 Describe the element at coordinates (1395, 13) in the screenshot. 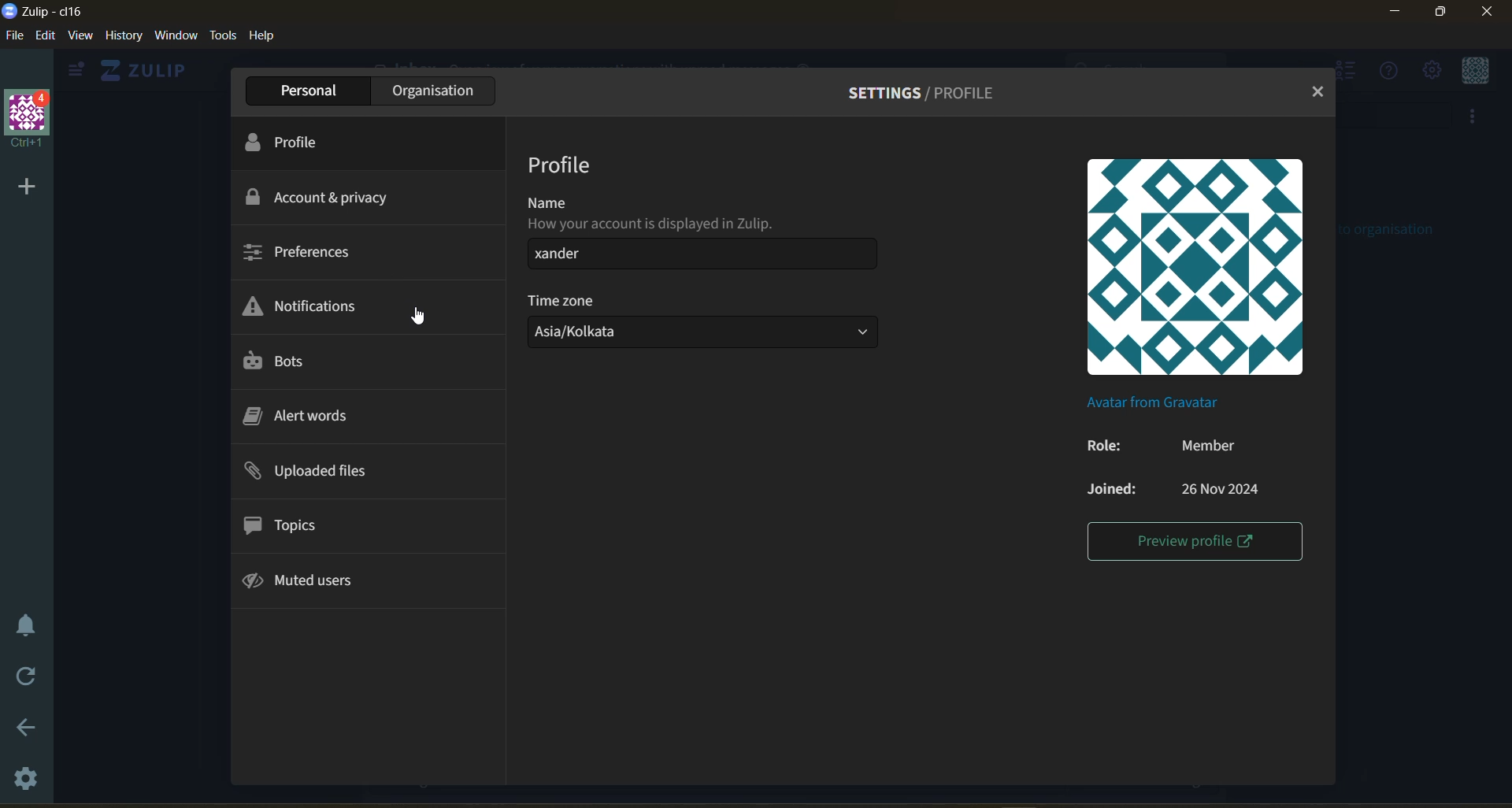

I see `Minimize` at that location.